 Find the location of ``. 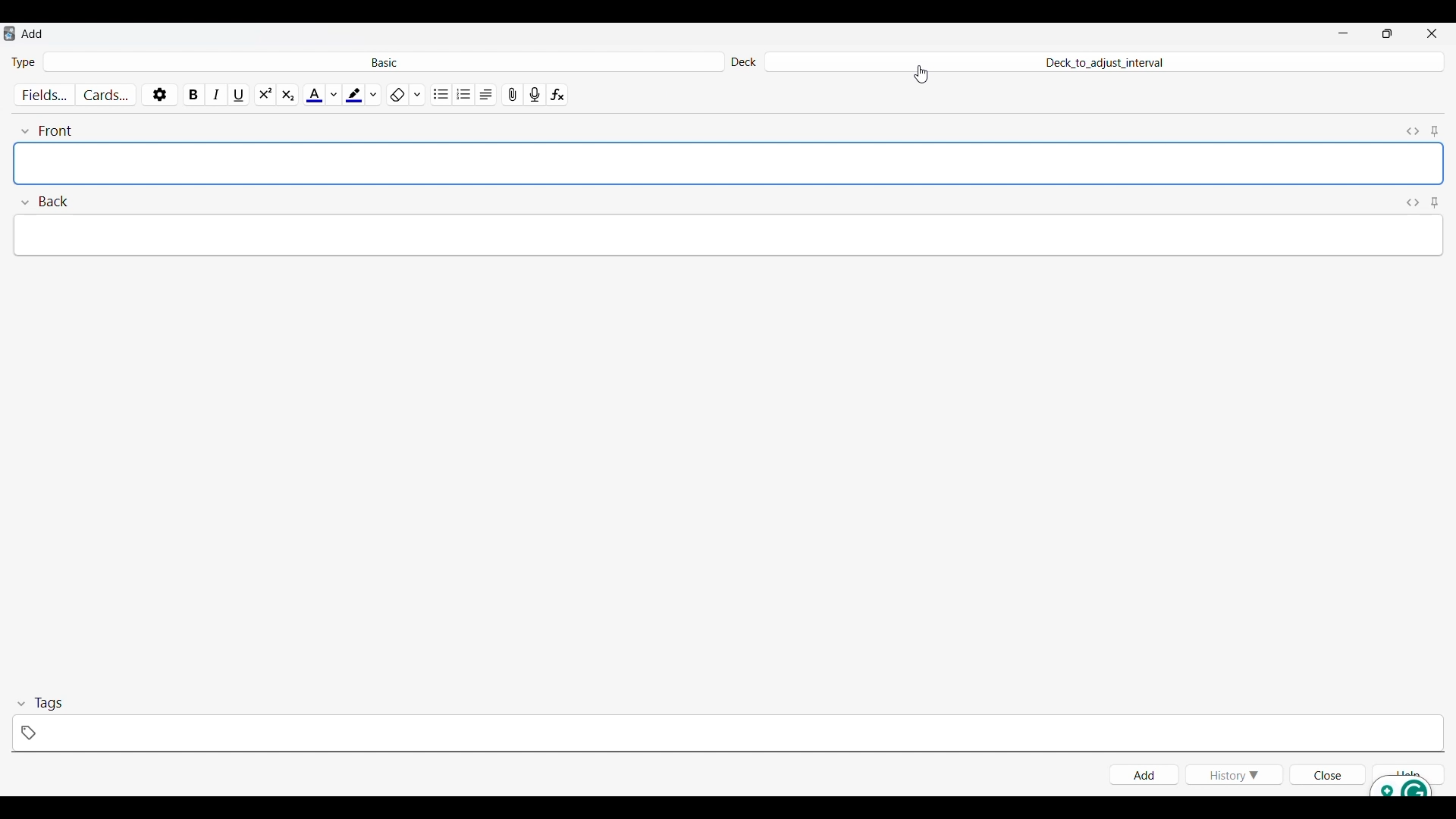

 is located at coordinates (1235, 774).